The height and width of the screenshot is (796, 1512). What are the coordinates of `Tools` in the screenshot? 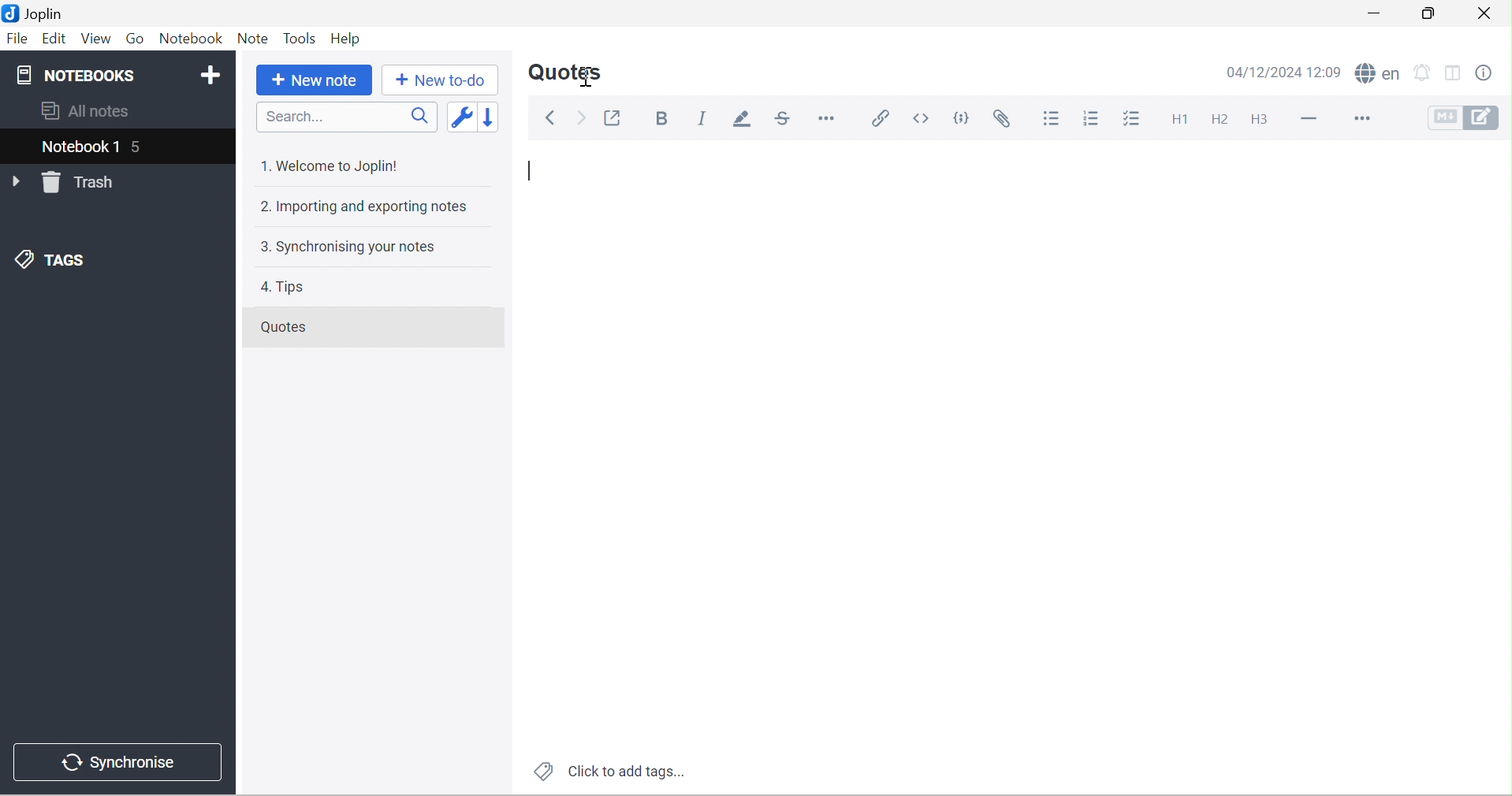 It's located at (301, 38).